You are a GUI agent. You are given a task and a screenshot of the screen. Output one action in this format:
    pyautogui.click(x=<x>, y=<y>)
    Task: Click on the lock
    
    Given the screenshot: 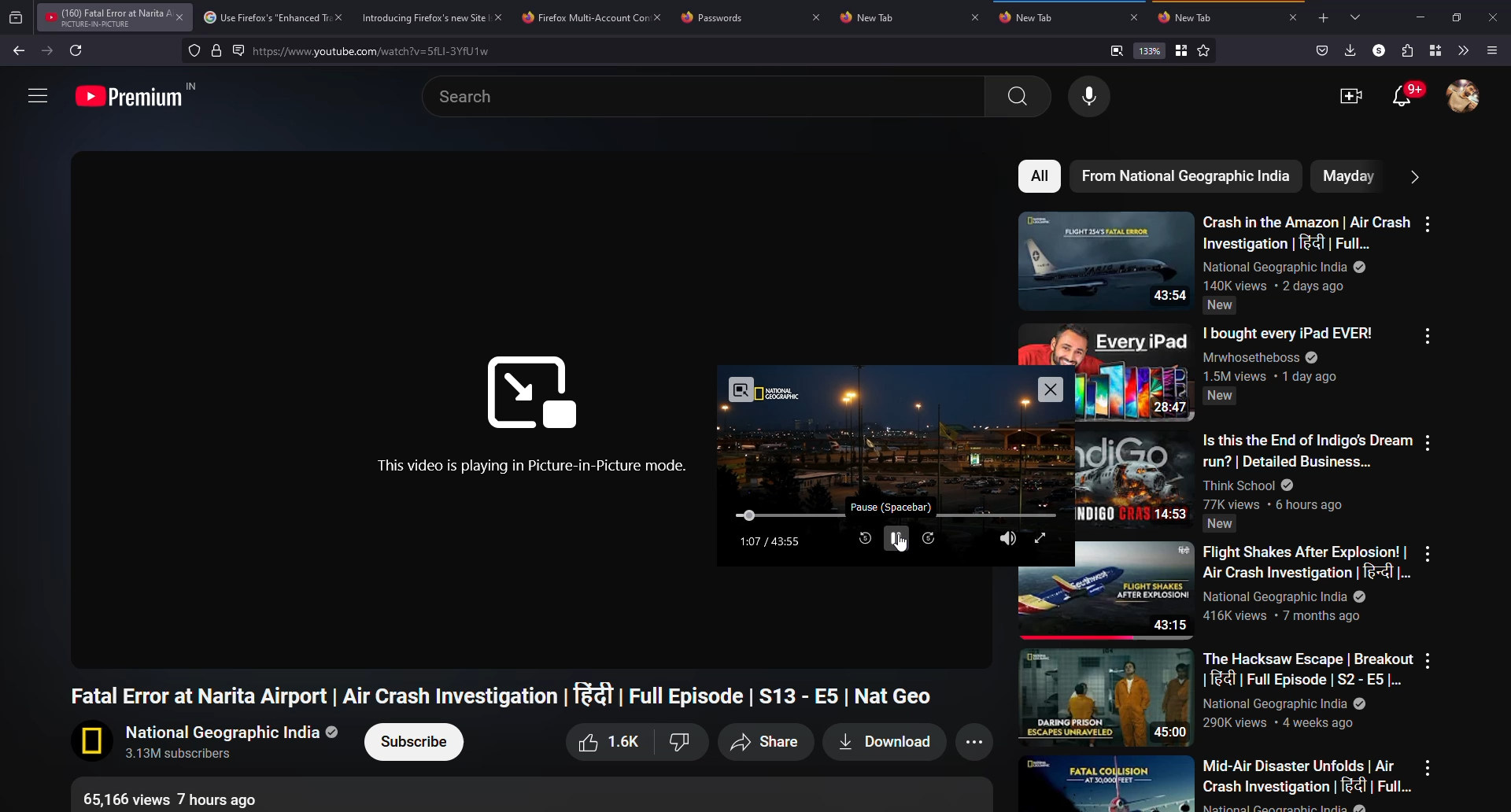 What is the action you would take?
    pyautogui.click(x=217, y=50)
    